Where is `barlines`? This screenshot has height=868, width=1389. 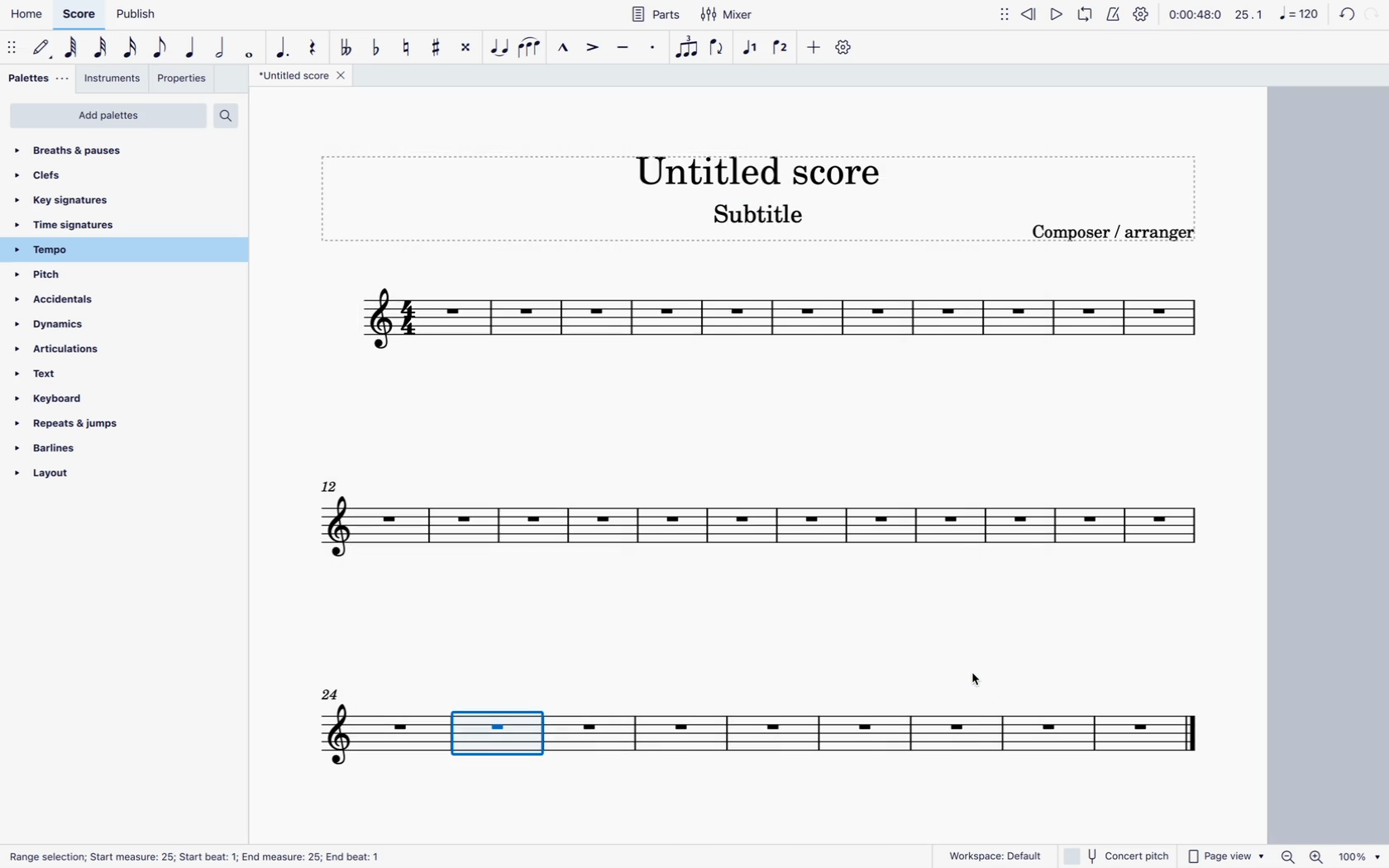 barlines is located at coordinates (76, 449).